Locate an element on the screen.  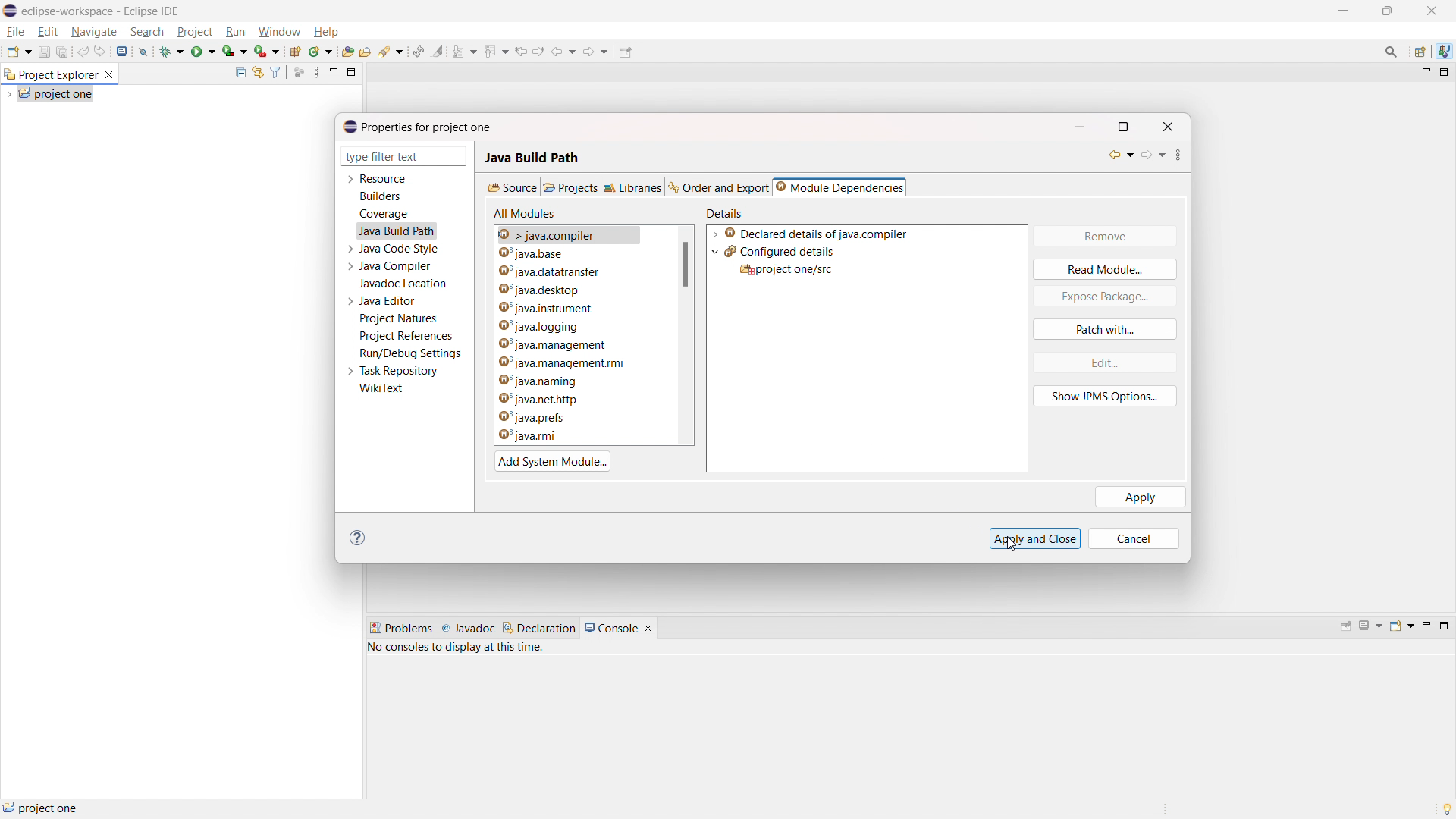
console is located at coordinates (611, 628).